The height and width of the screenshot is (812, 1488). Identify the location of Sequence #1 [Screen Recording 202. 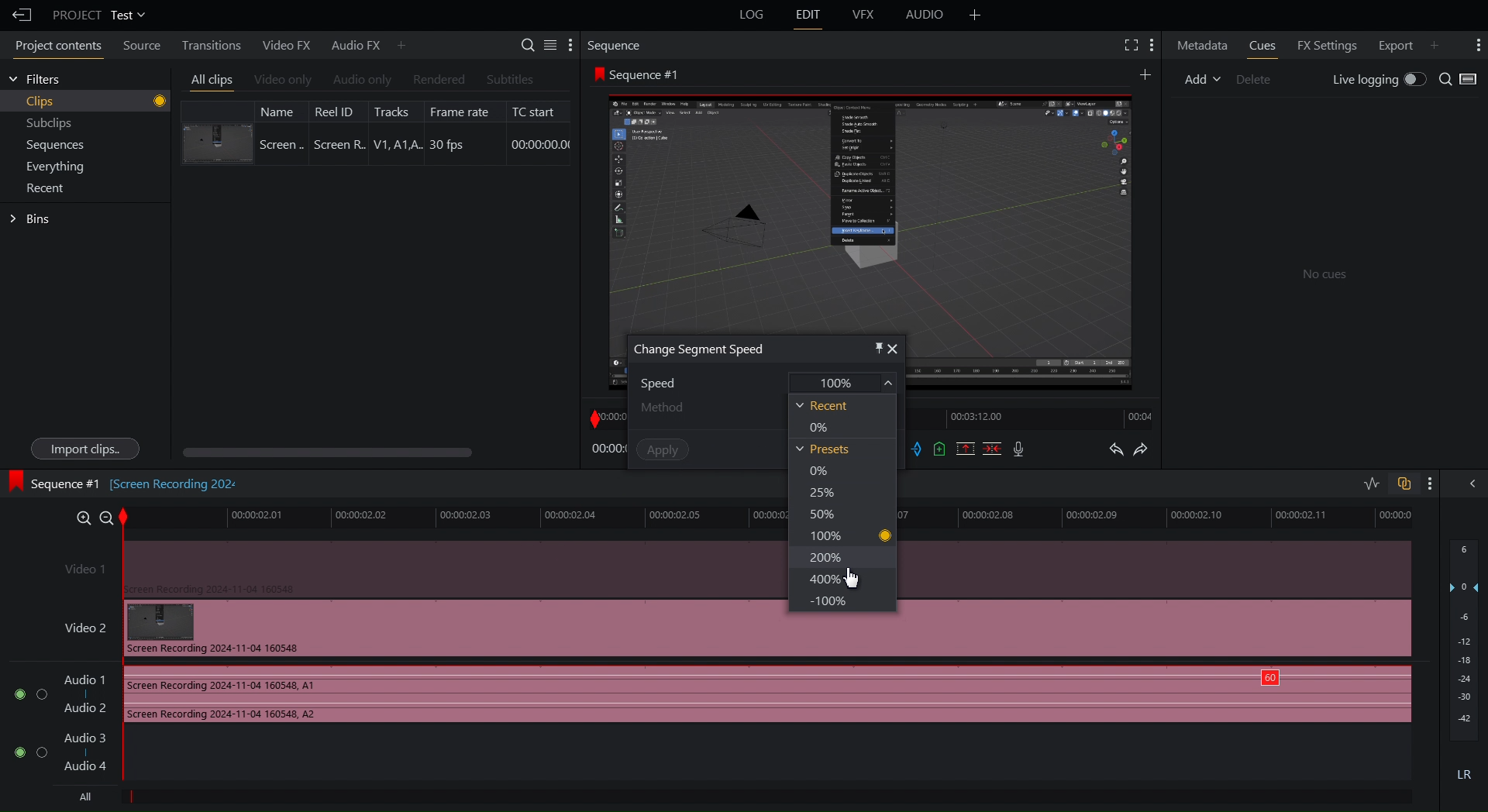
(126, 481).